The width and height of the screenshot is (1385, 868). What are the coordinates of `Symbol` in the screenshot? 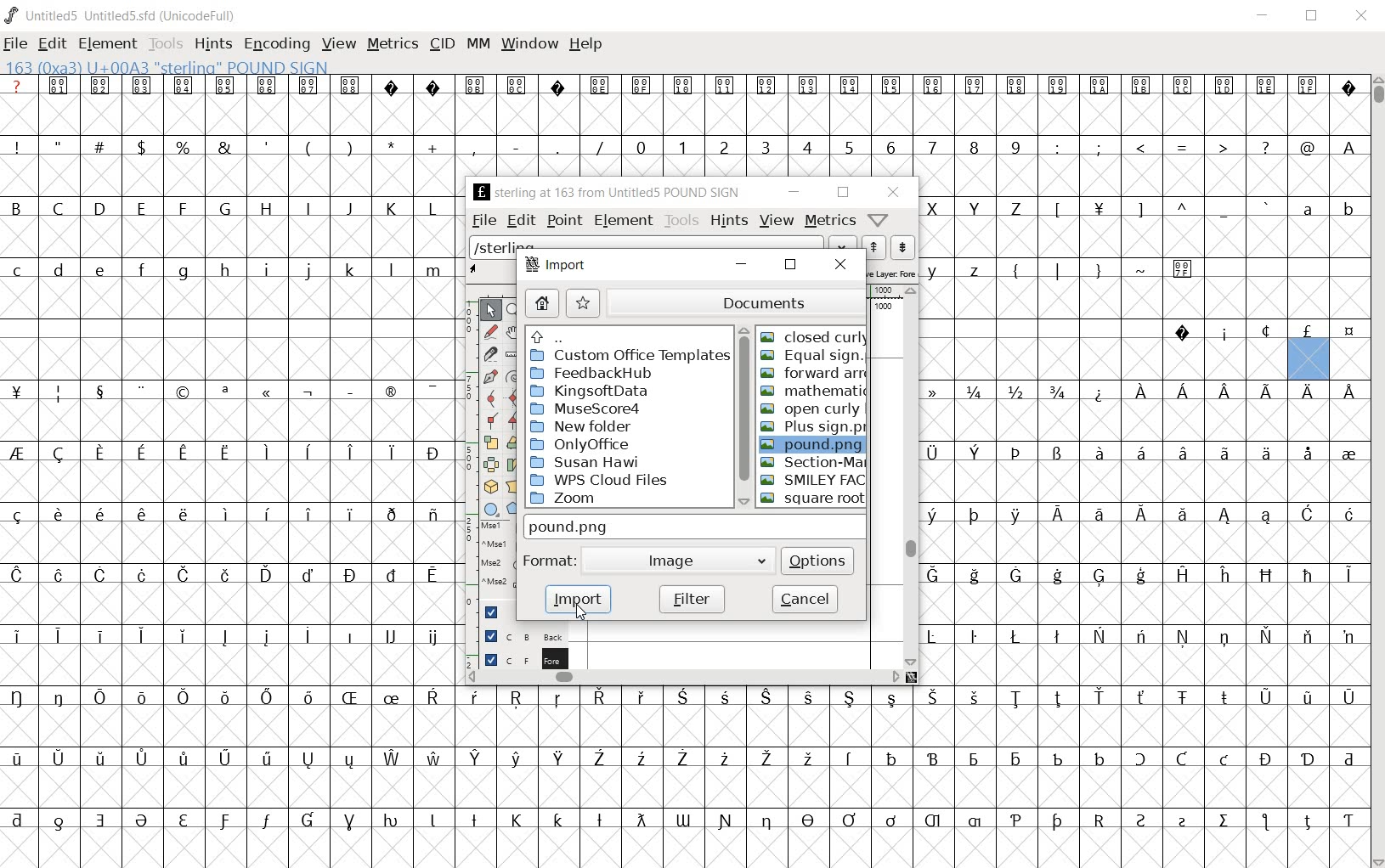 It's located at (1183, 332).